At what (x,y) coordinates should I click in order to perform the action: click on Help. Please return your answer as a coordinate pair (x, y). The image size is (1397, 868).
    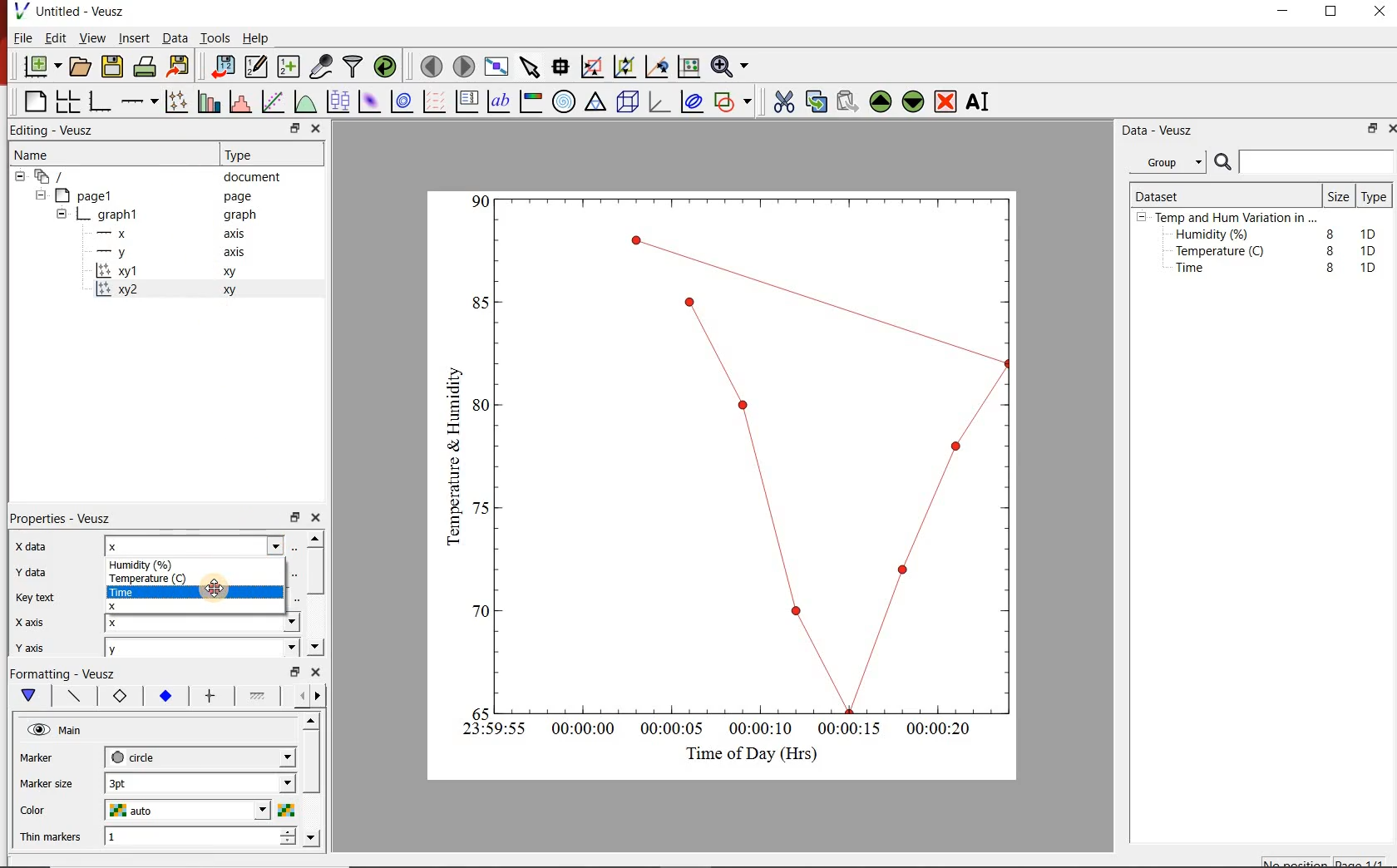
    Looking at the image, I should click on (257, 37).